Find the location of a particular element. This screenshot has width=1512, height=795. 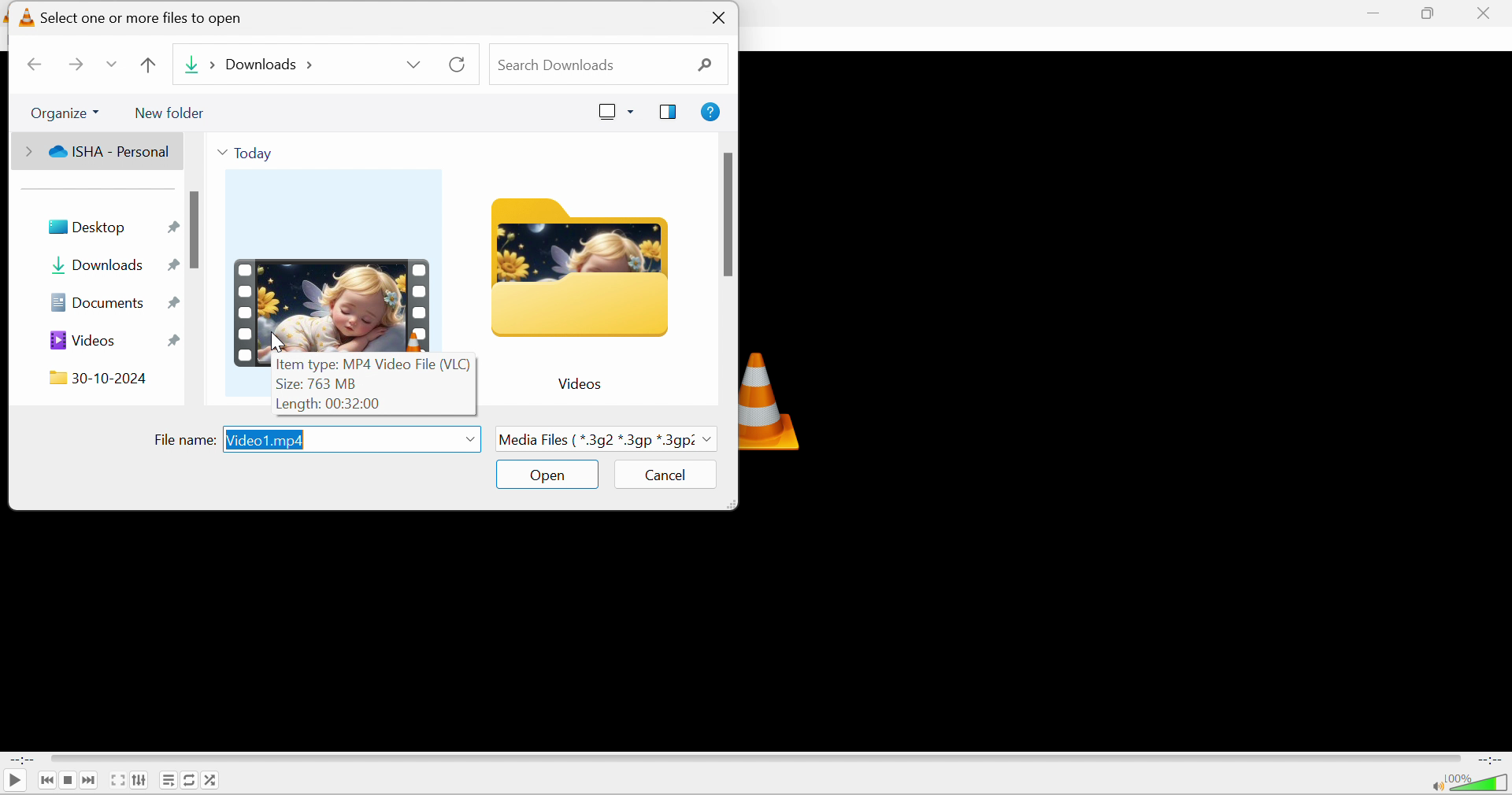

Cursor is located at coordinates (280, 339).